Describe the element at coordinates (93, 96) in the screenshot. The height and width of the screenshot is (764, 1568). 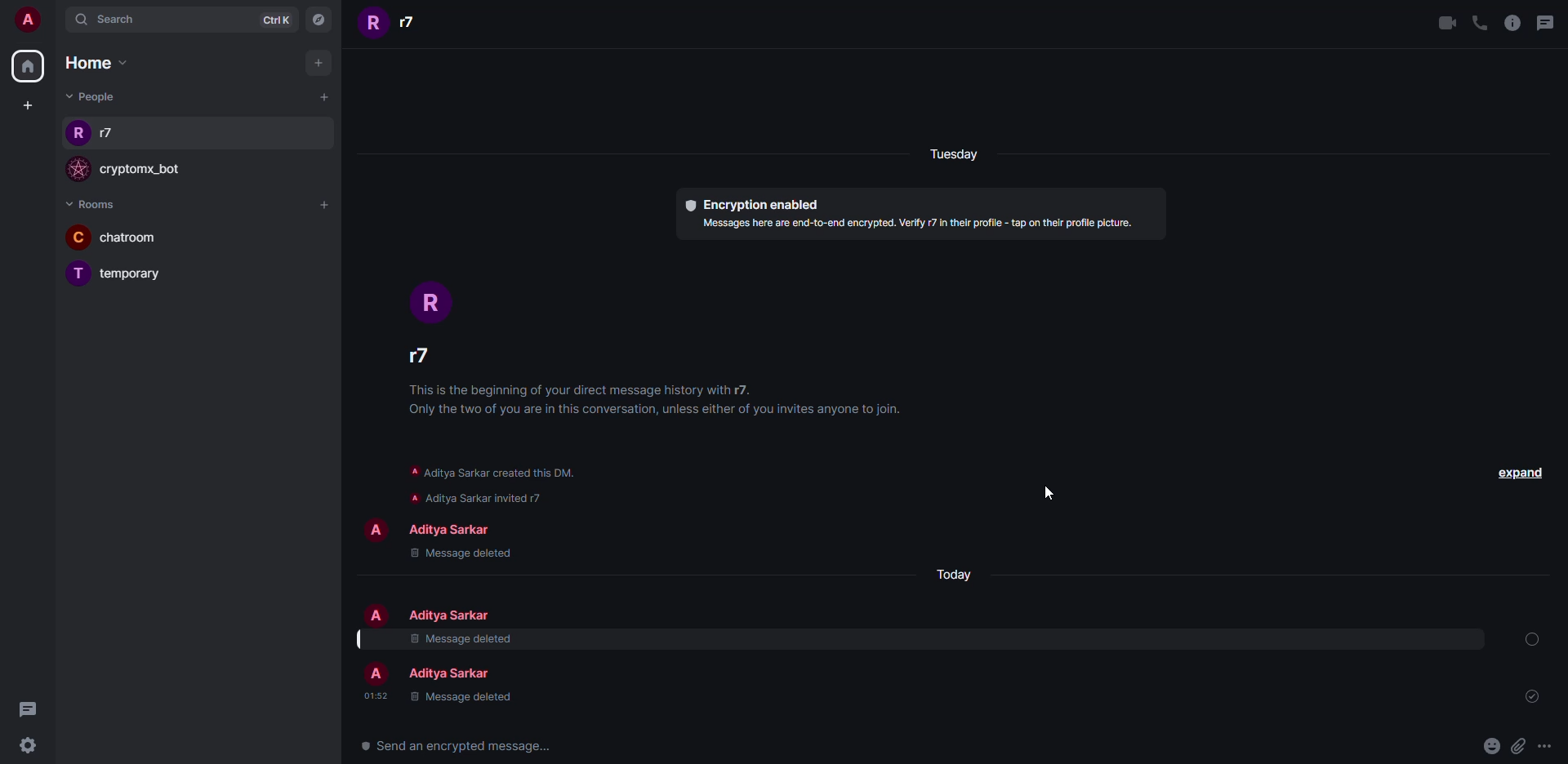
I see `people` at that location.